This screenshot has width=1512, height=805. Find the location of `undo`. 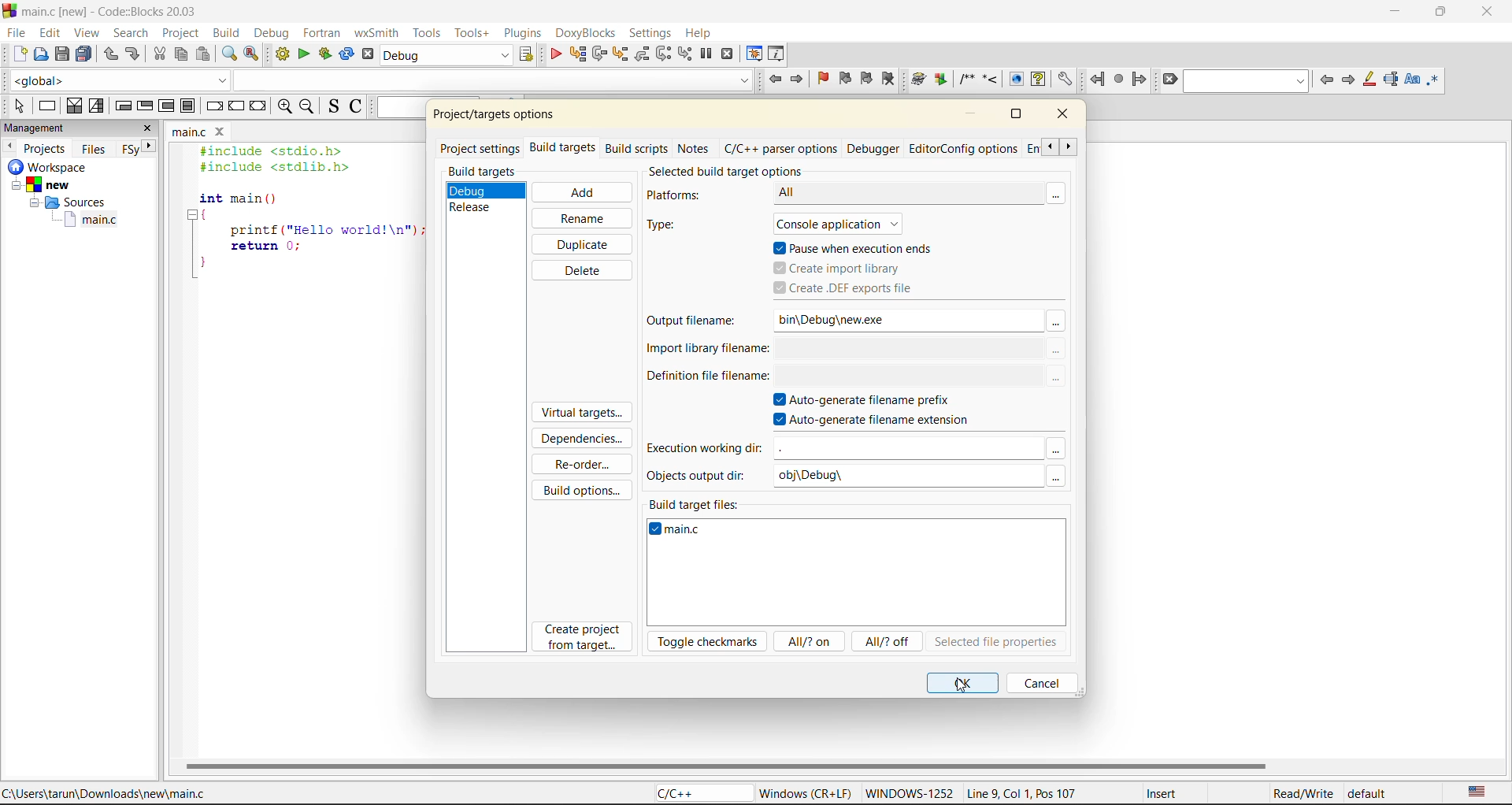

undo is located at coordinates (109, 54).